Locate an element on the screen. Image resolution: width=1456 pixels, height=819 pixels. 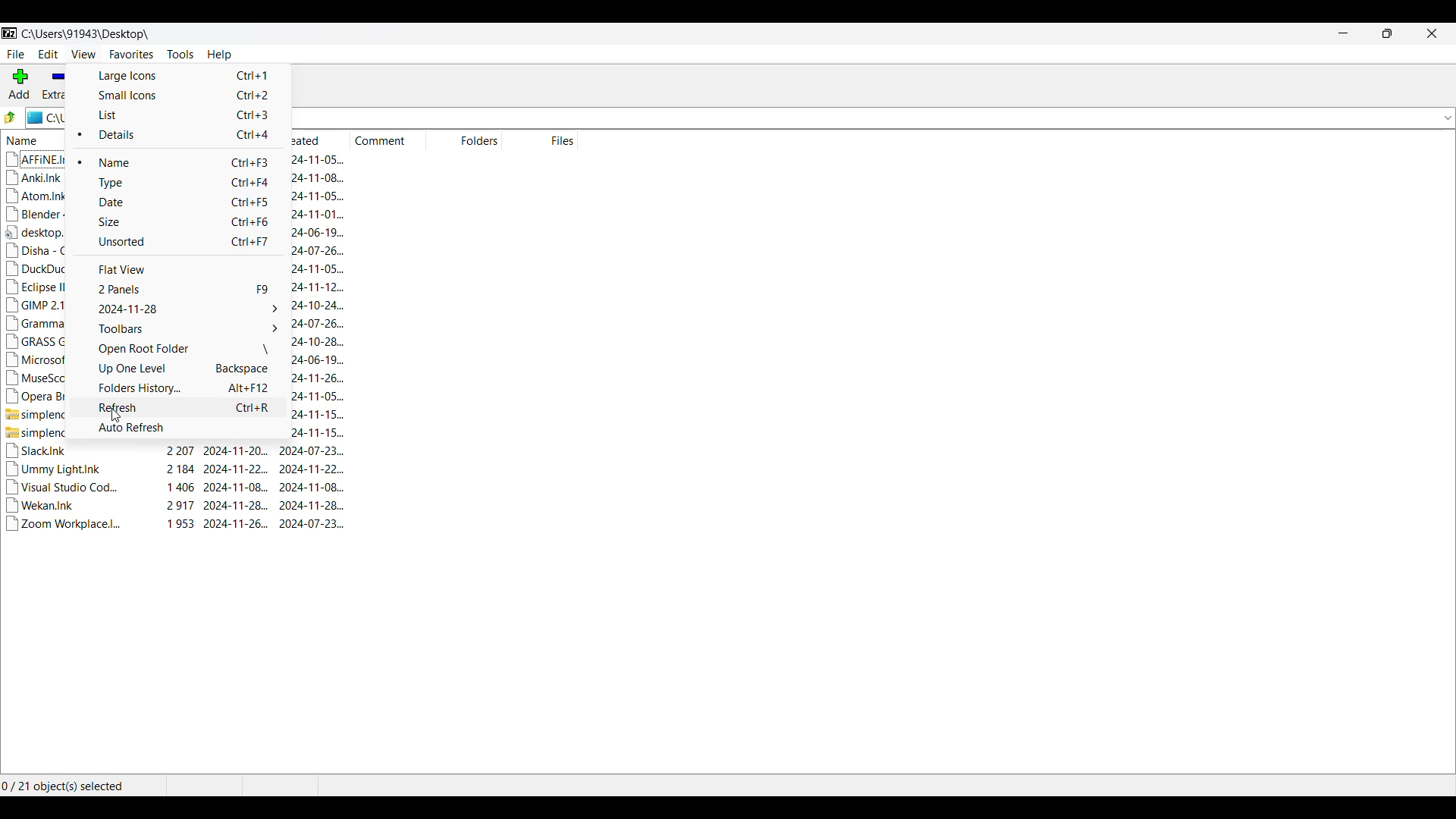
Name is located at coordinates (187, 163).